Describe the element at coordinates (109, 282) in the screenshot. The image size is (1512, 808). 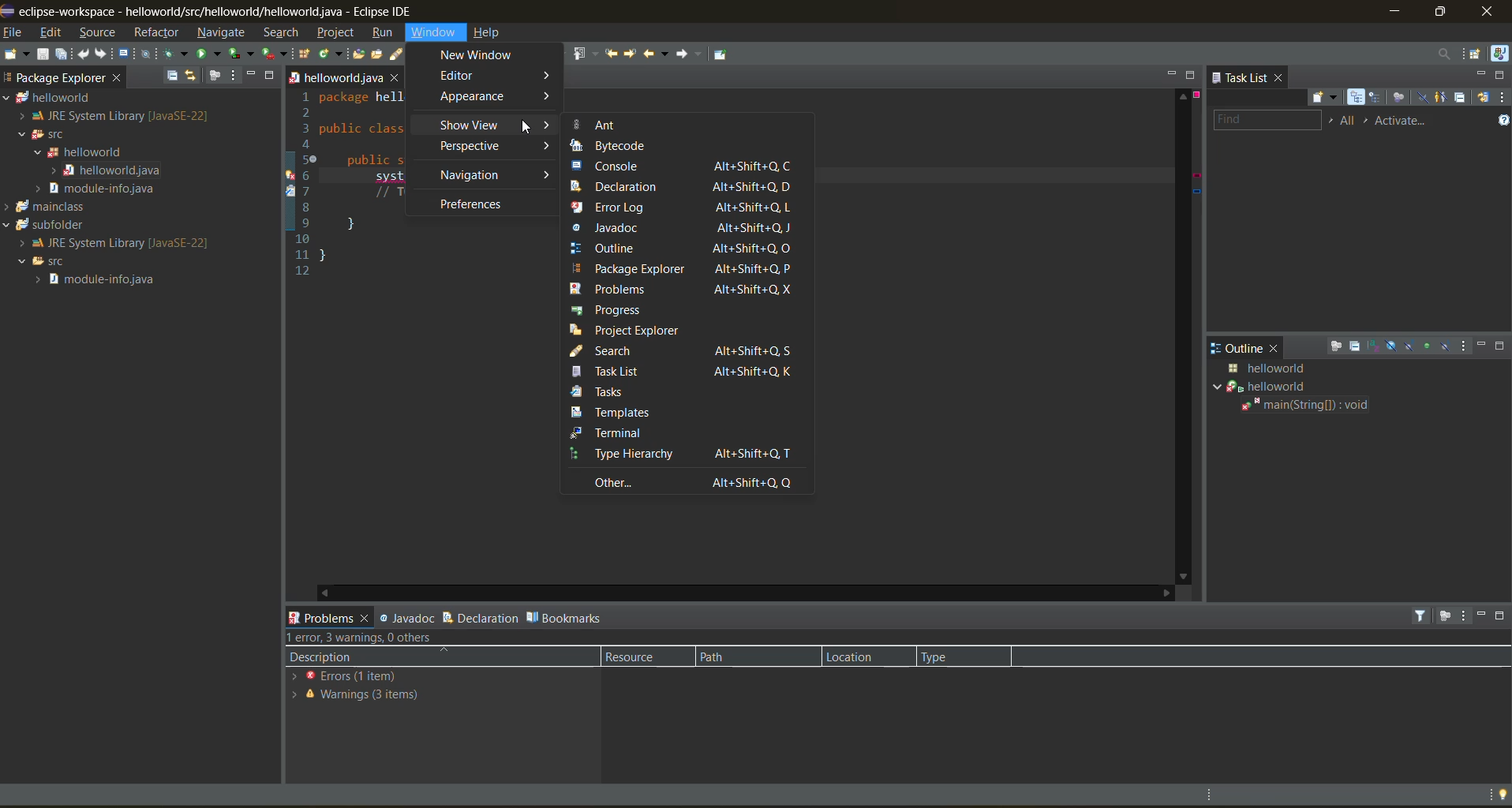
I see `module info java` at that location.